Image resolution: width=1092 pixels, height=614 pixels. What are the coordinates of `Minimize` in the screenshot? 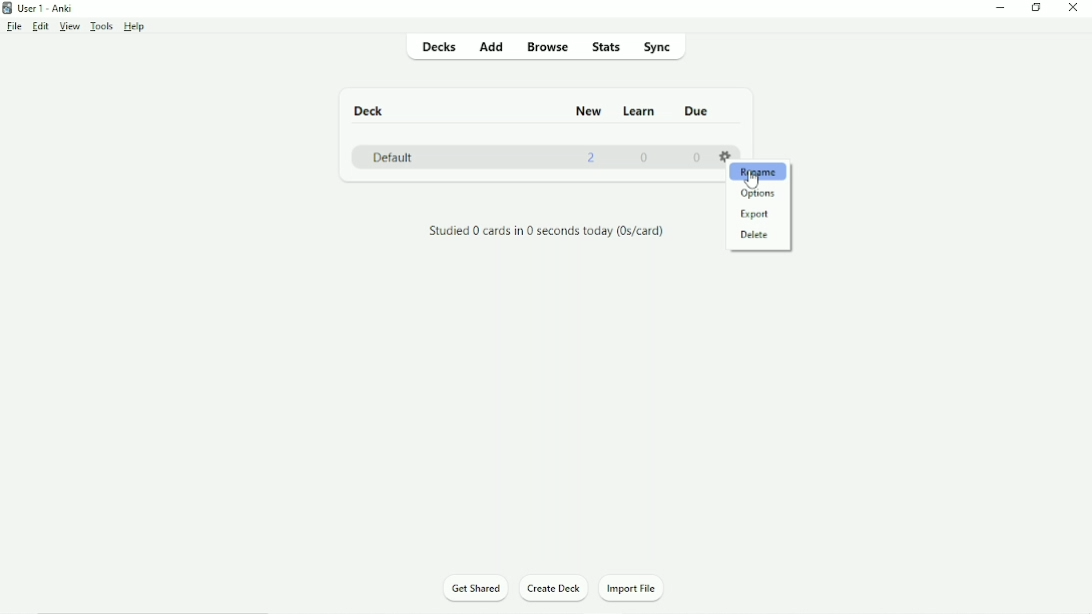 It's located at (1001, 8).